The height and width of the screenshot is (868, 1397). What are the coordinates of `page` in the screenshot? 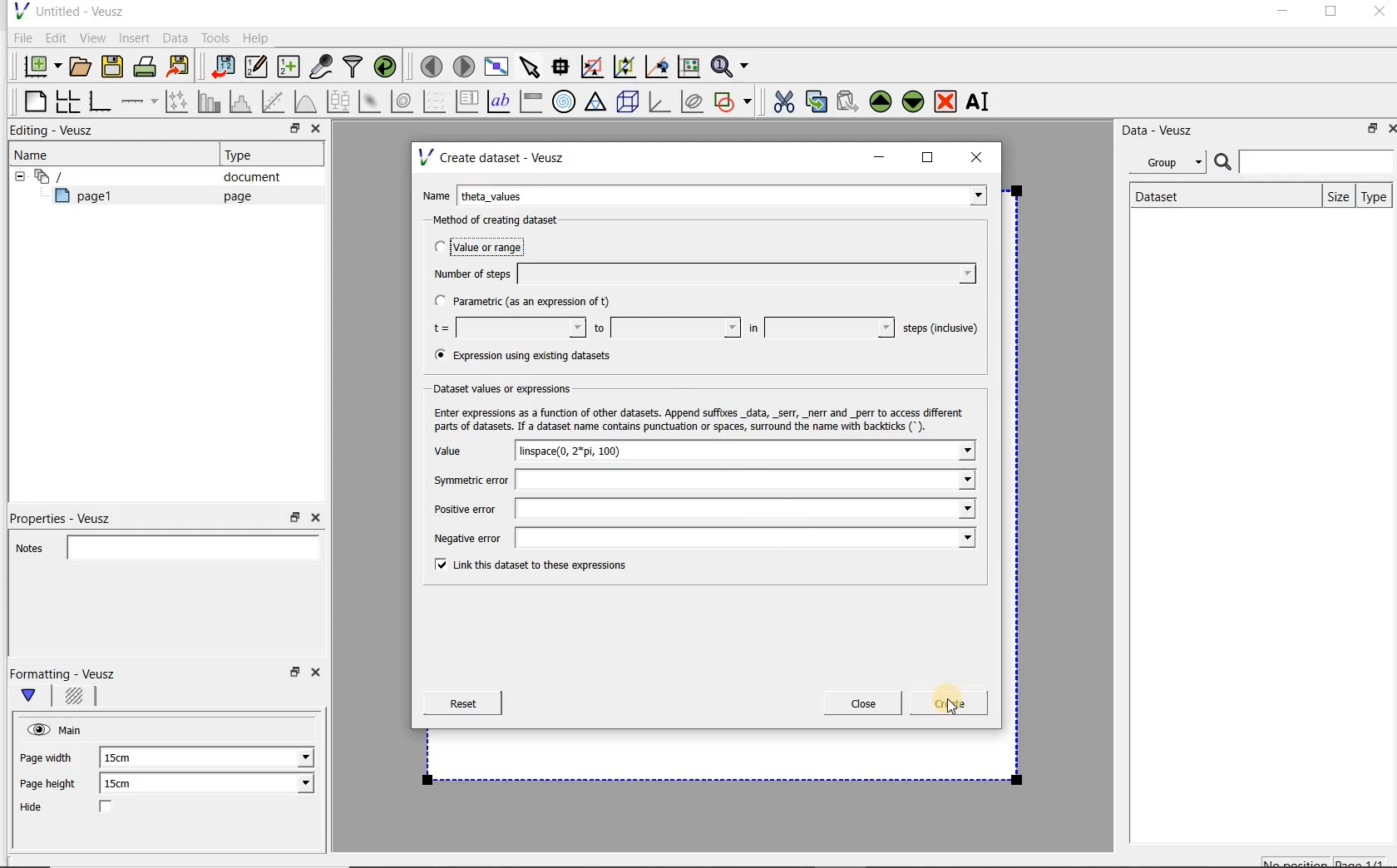 It's located at (234, 196).